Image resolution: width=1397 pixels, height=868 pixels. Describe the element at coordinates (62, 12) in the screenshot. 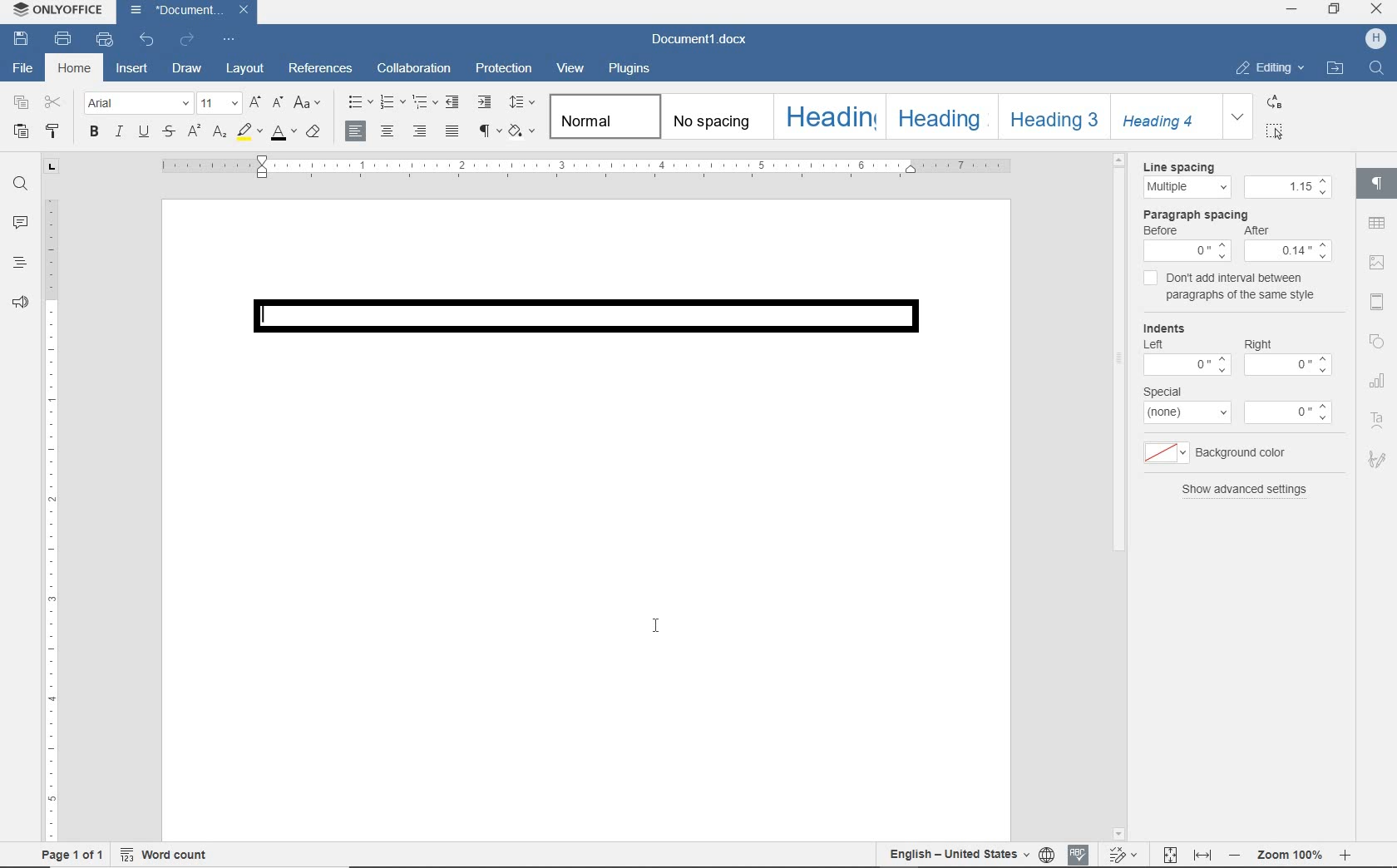

I see `ONLYOFFICE (application name)` at that location.